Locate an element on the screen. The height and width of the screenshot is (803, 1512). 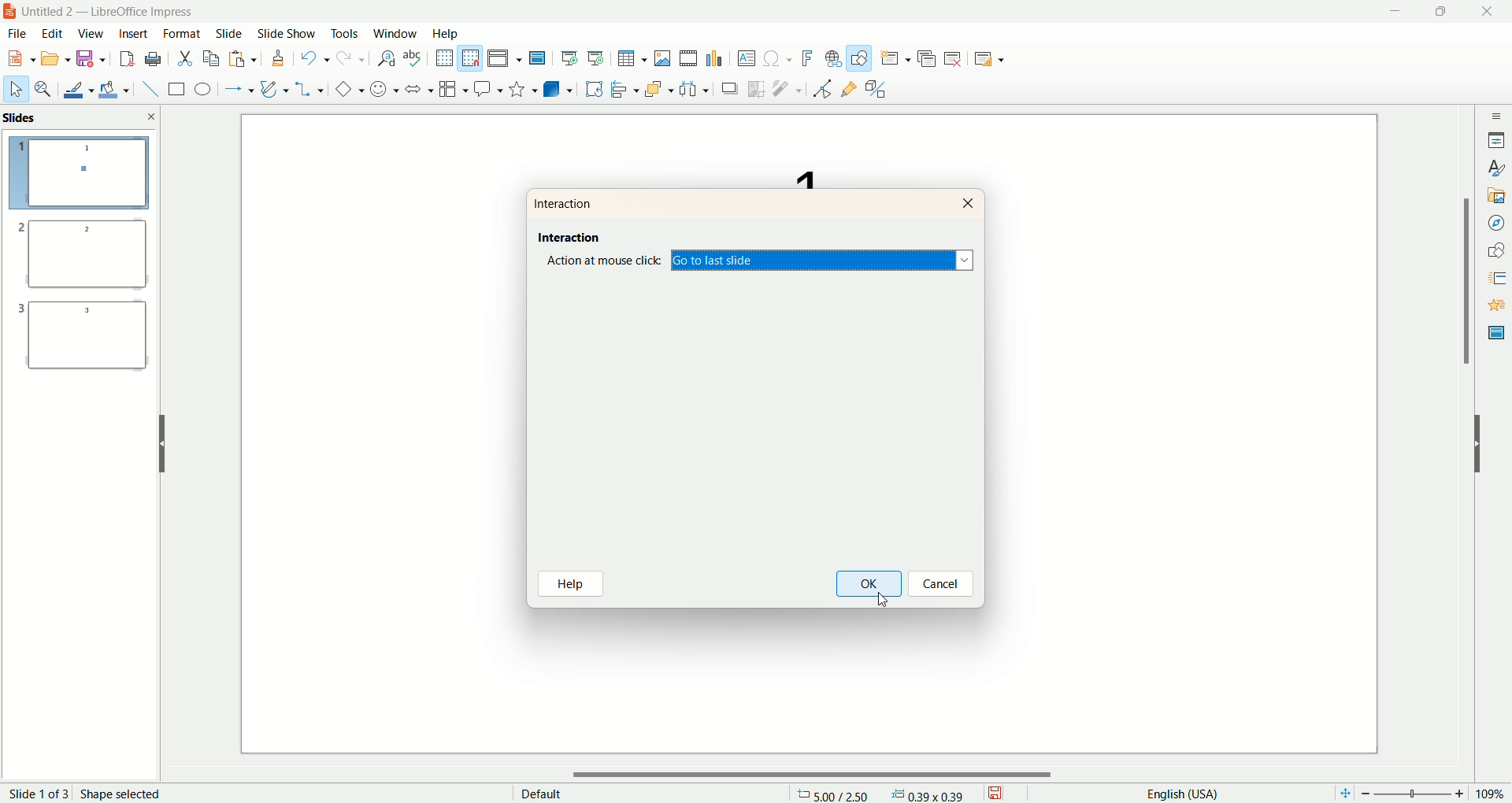
window is located at coordinates (395, 33).